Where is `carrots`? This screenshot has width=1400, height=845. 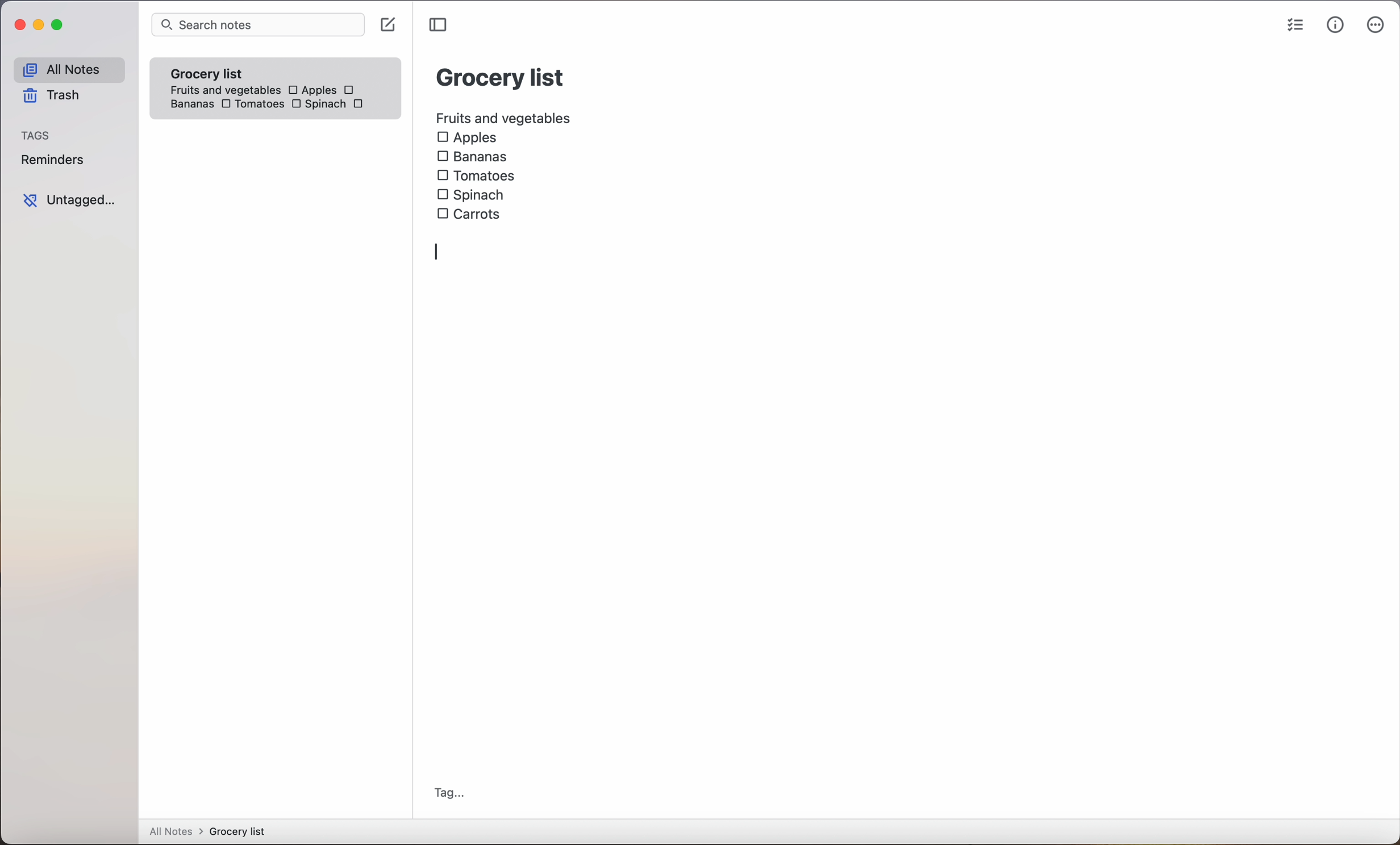 carrots is located at coordinates (361, 104).